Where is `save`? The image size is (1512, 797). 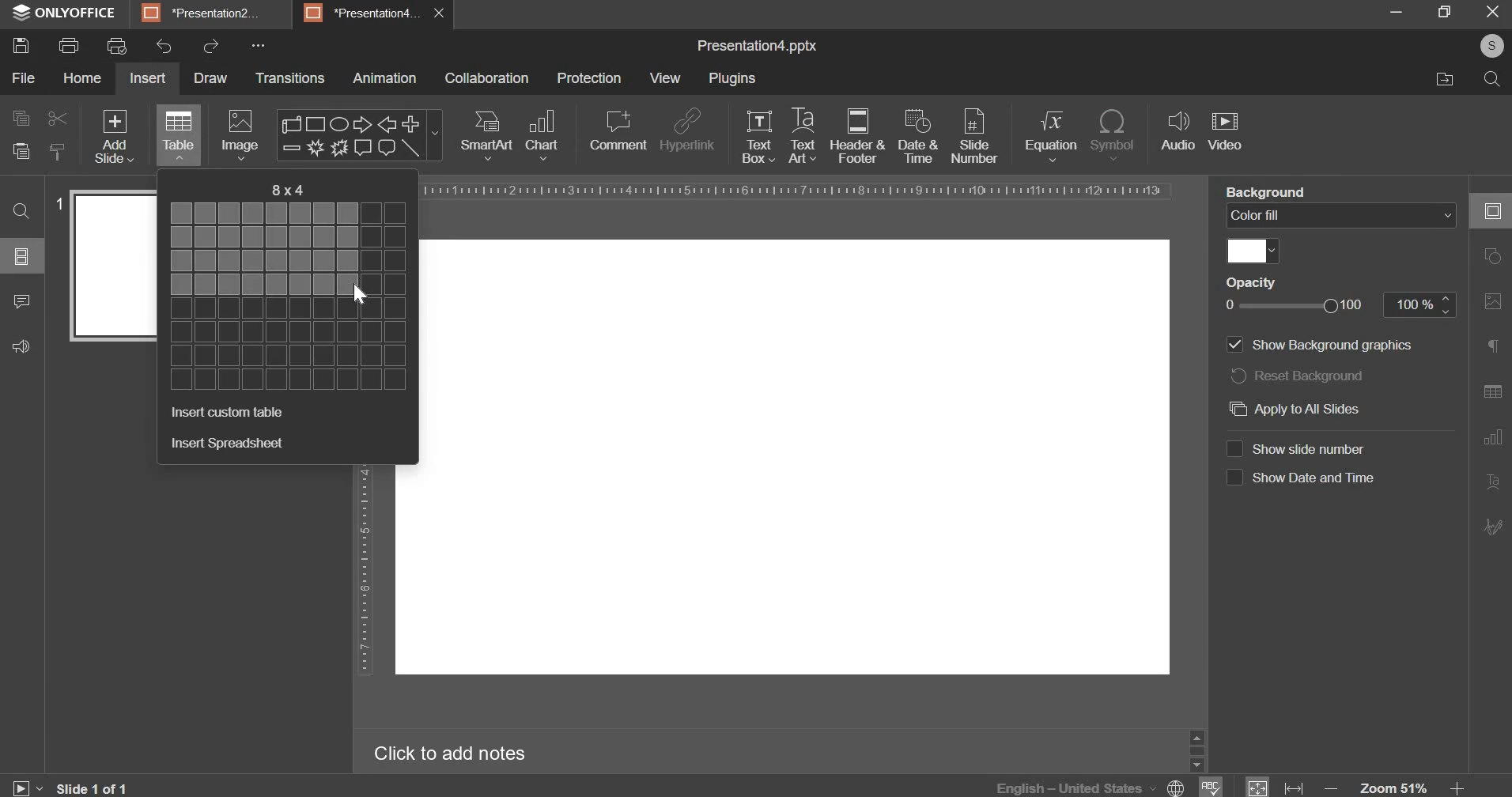
save is located at coordinates (21, 46).